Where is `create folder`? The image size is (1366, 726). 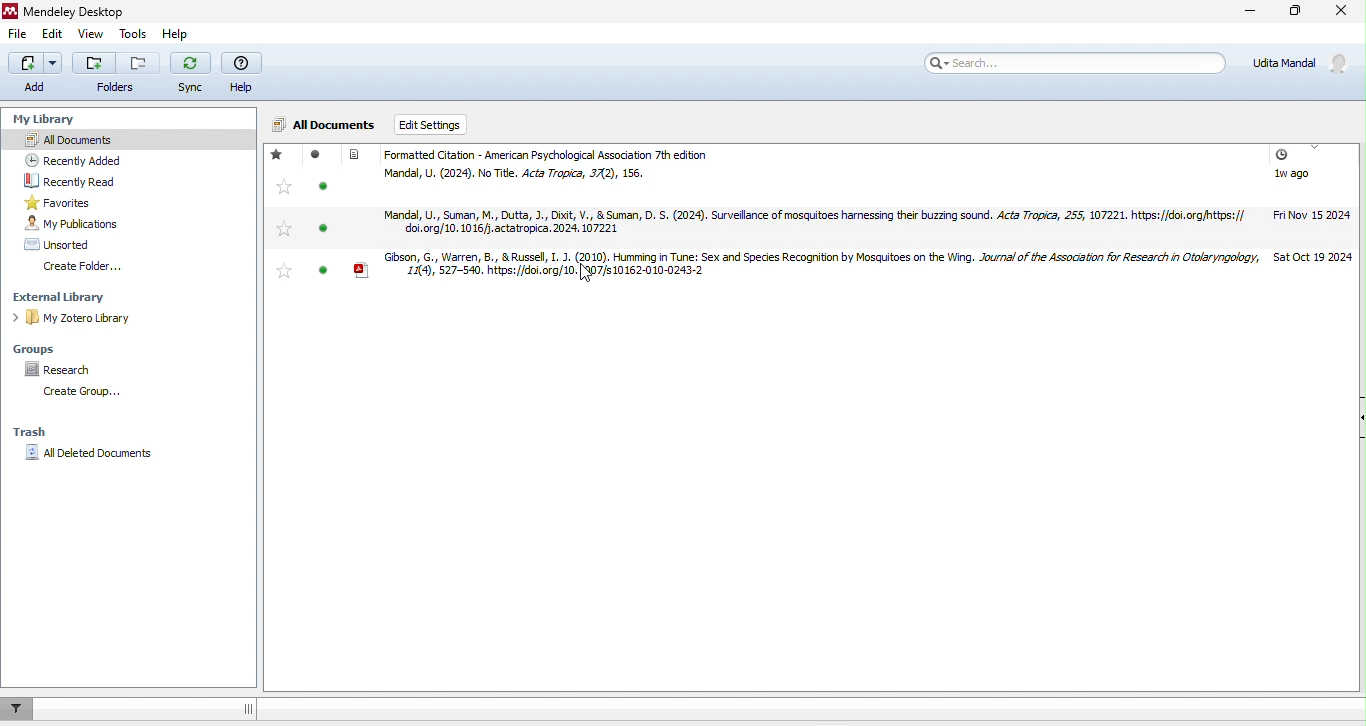
create folder is located at coordinates (88, 267).